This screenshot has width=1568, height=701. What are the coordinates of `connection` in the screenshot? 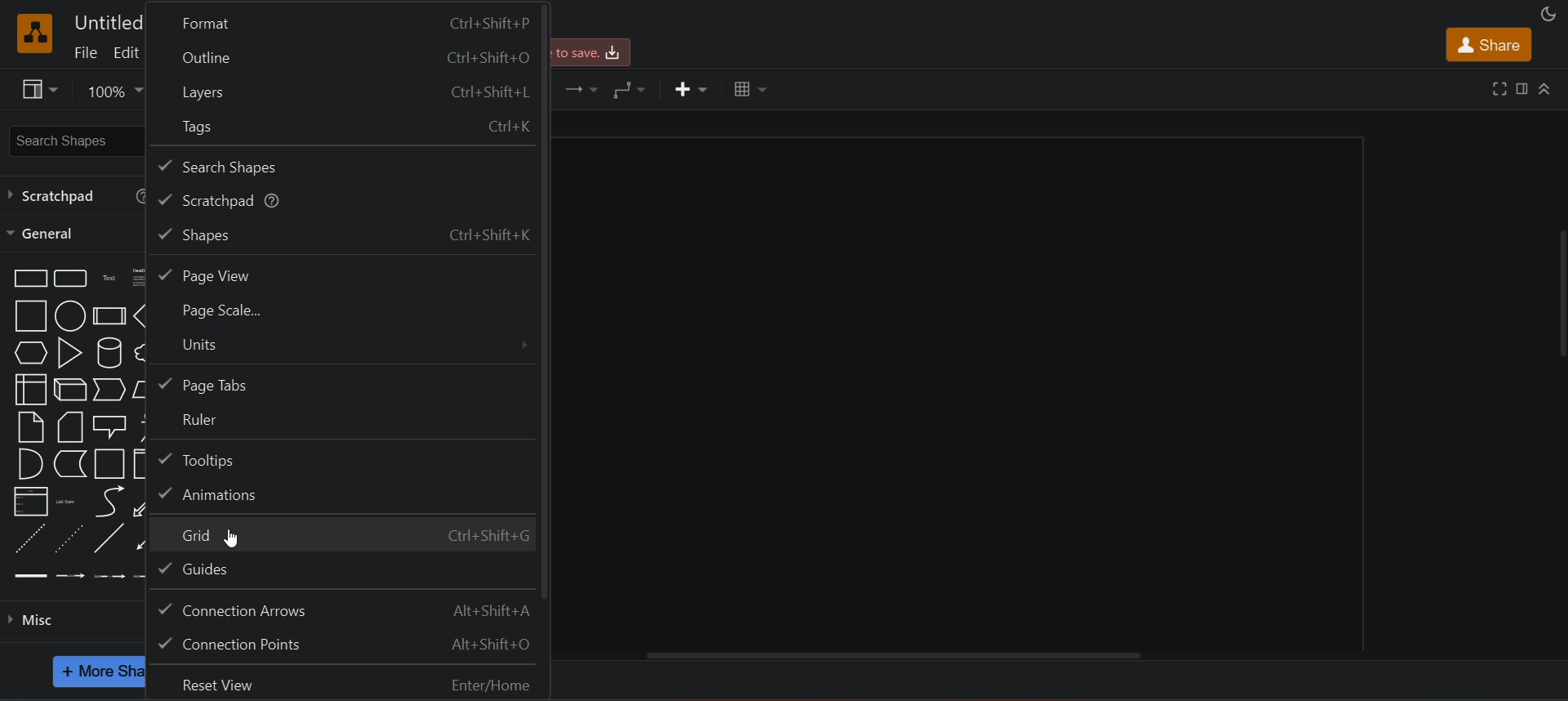 It's located at (577, 87).